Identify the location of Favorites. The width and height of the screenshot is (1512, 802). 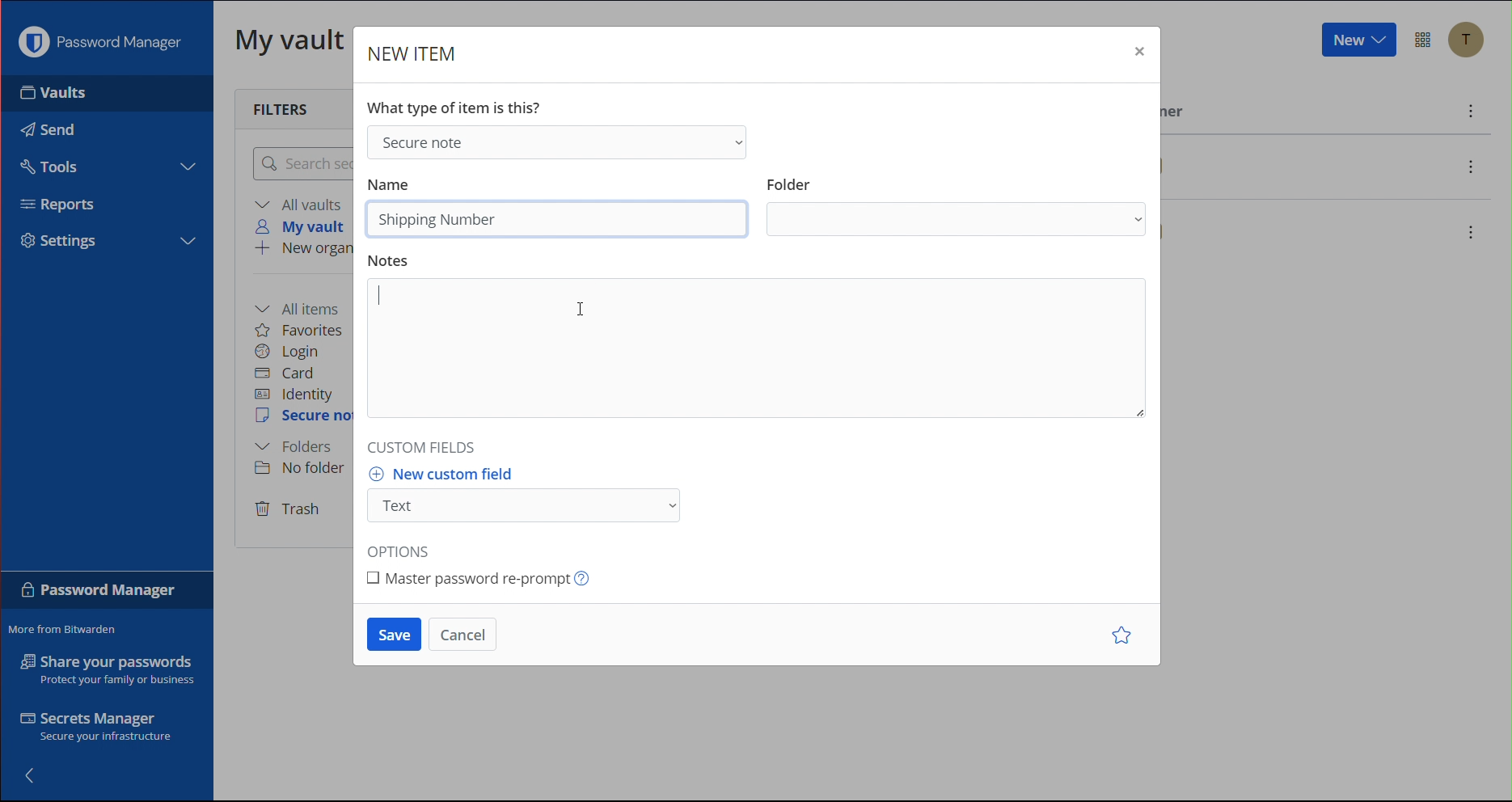
(299, 329).